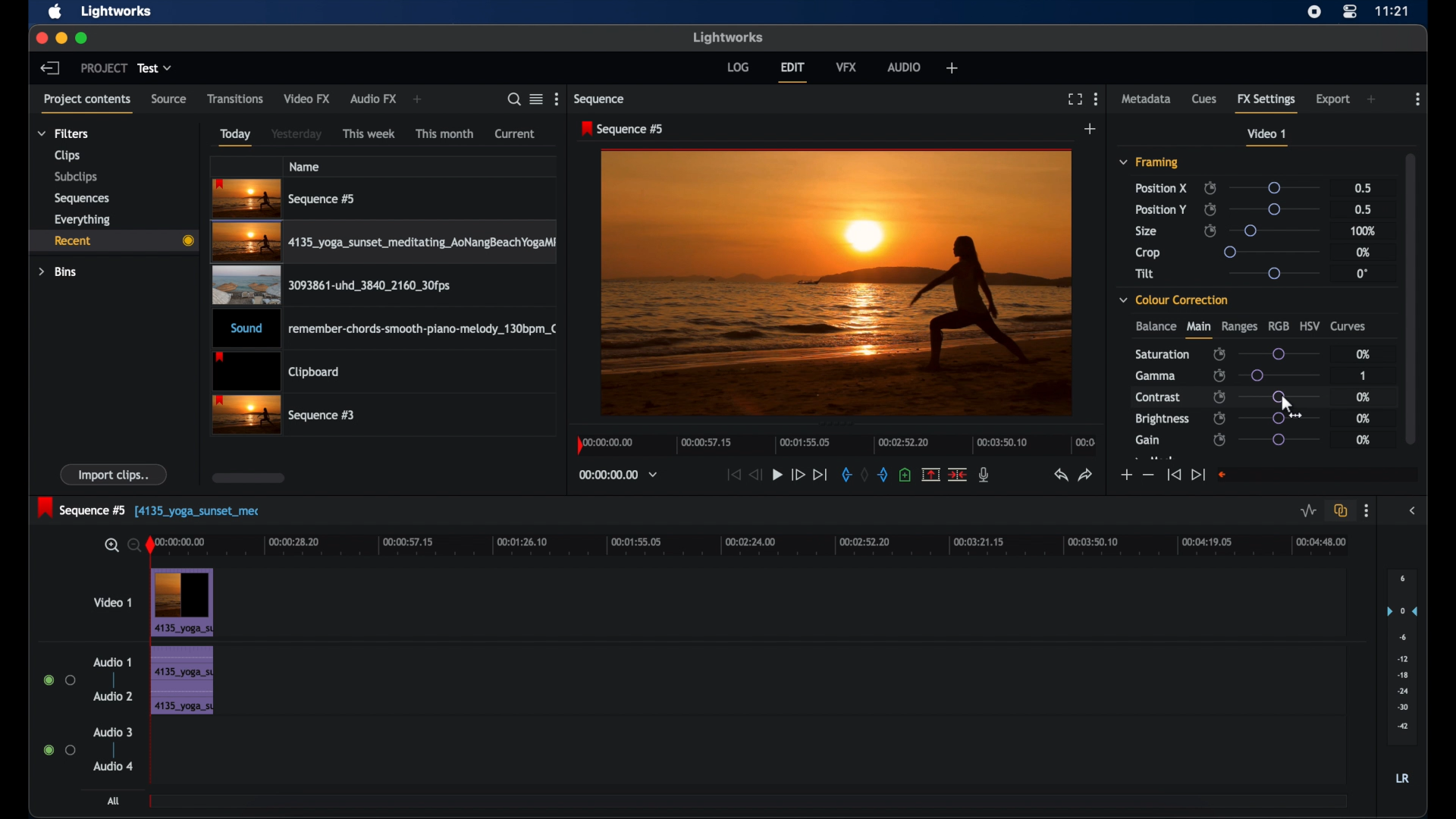  What do you see at coordinates (1415, 511) in the screenshot?
I see `sidebar` at bounding box center [1415, 511].